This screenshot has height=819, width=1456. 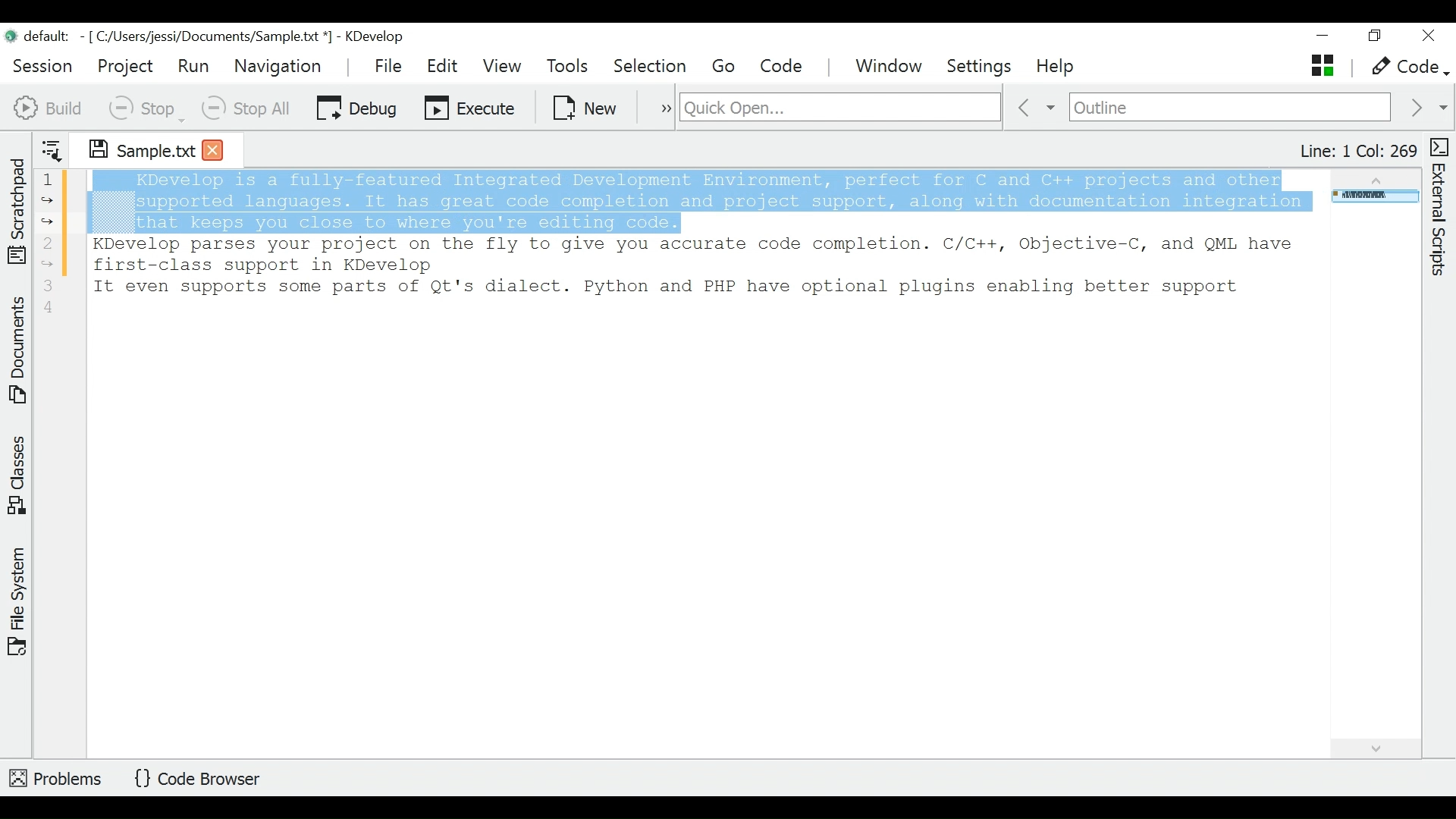 I want to click on default - [C:/Users/jessi/Documents/Sample.txt*] - KDevelop, so click(x=211, y=39).